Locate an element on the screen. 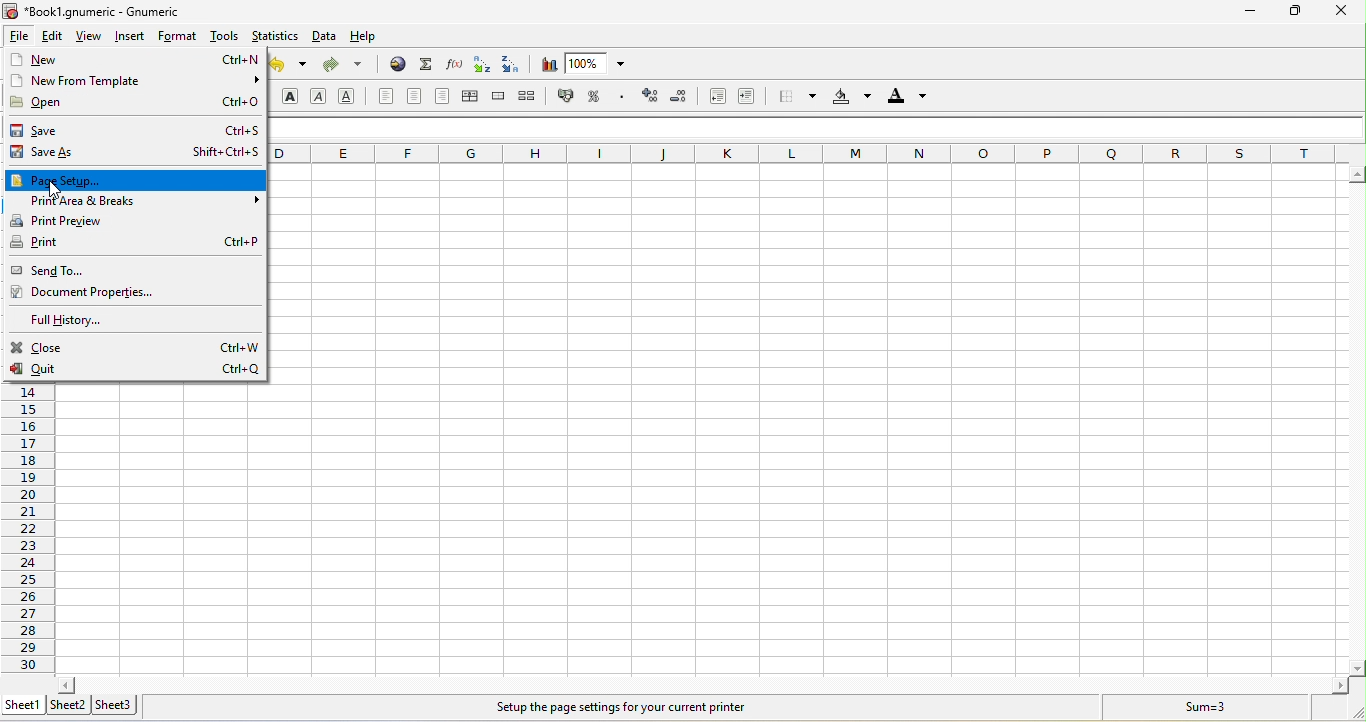 This screenshot has width=1366, height=722. set up the page settings for your current printer is located at coordinates (617, 708).